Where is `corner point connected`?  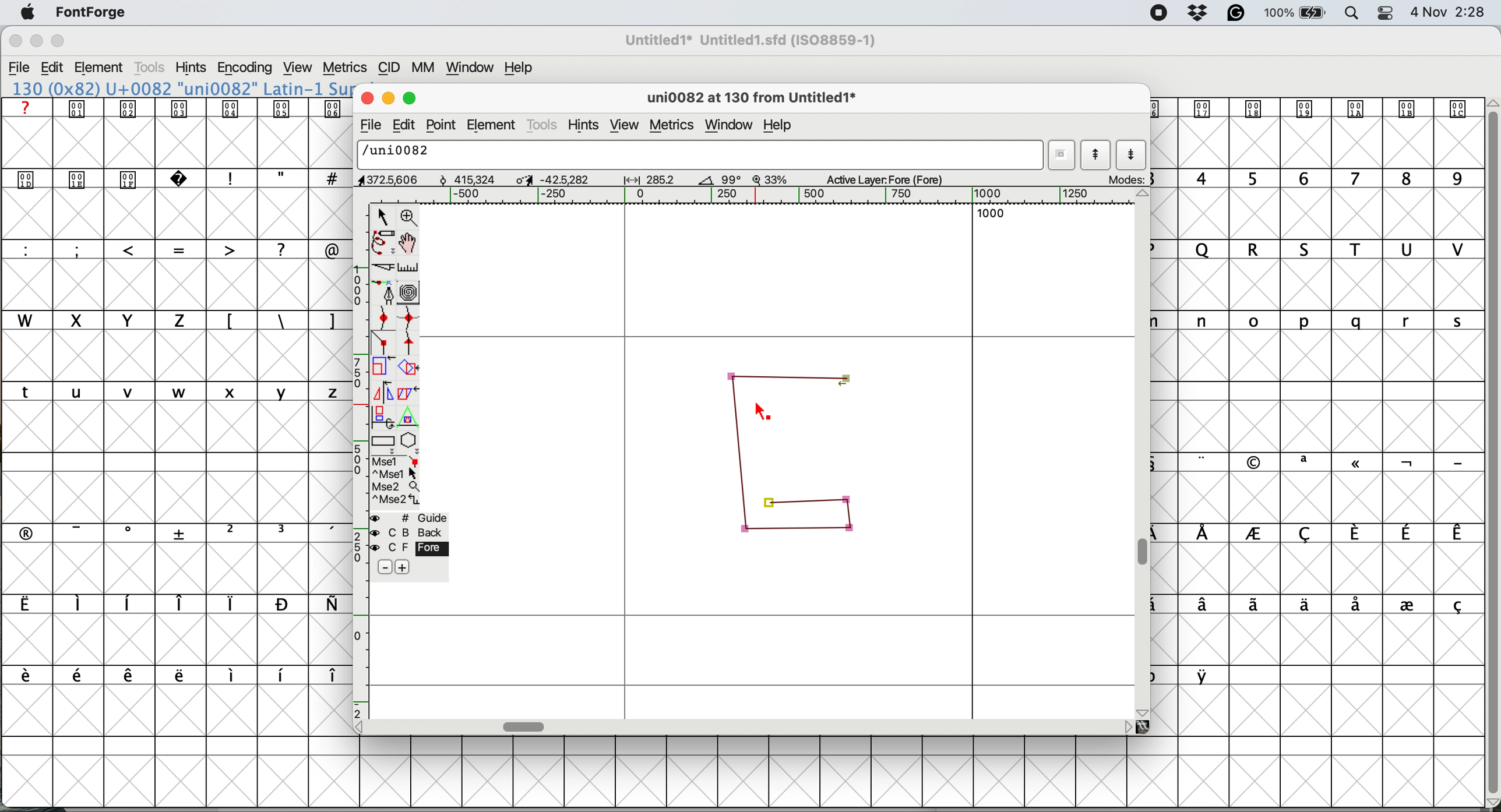 corner point connected is located at coordinates (821, 501).